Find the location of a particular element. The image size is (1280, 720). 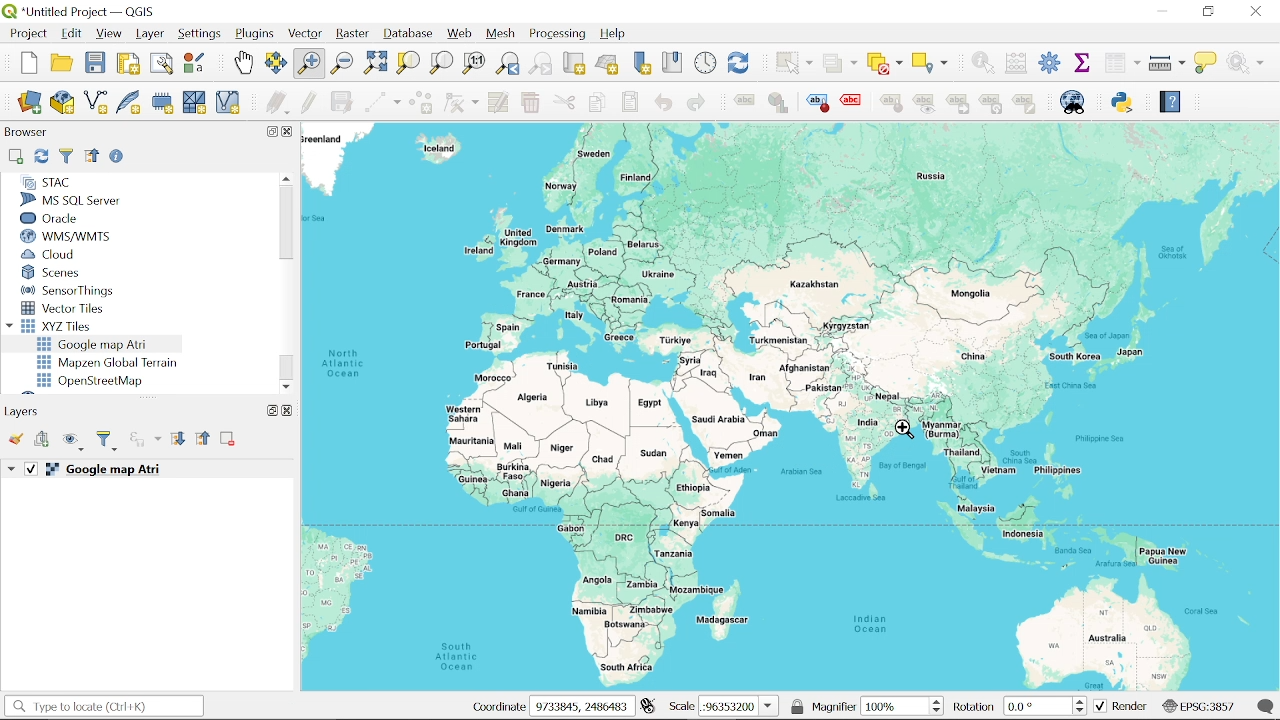

WMS/WMTS is located at coordinates (66, 237).